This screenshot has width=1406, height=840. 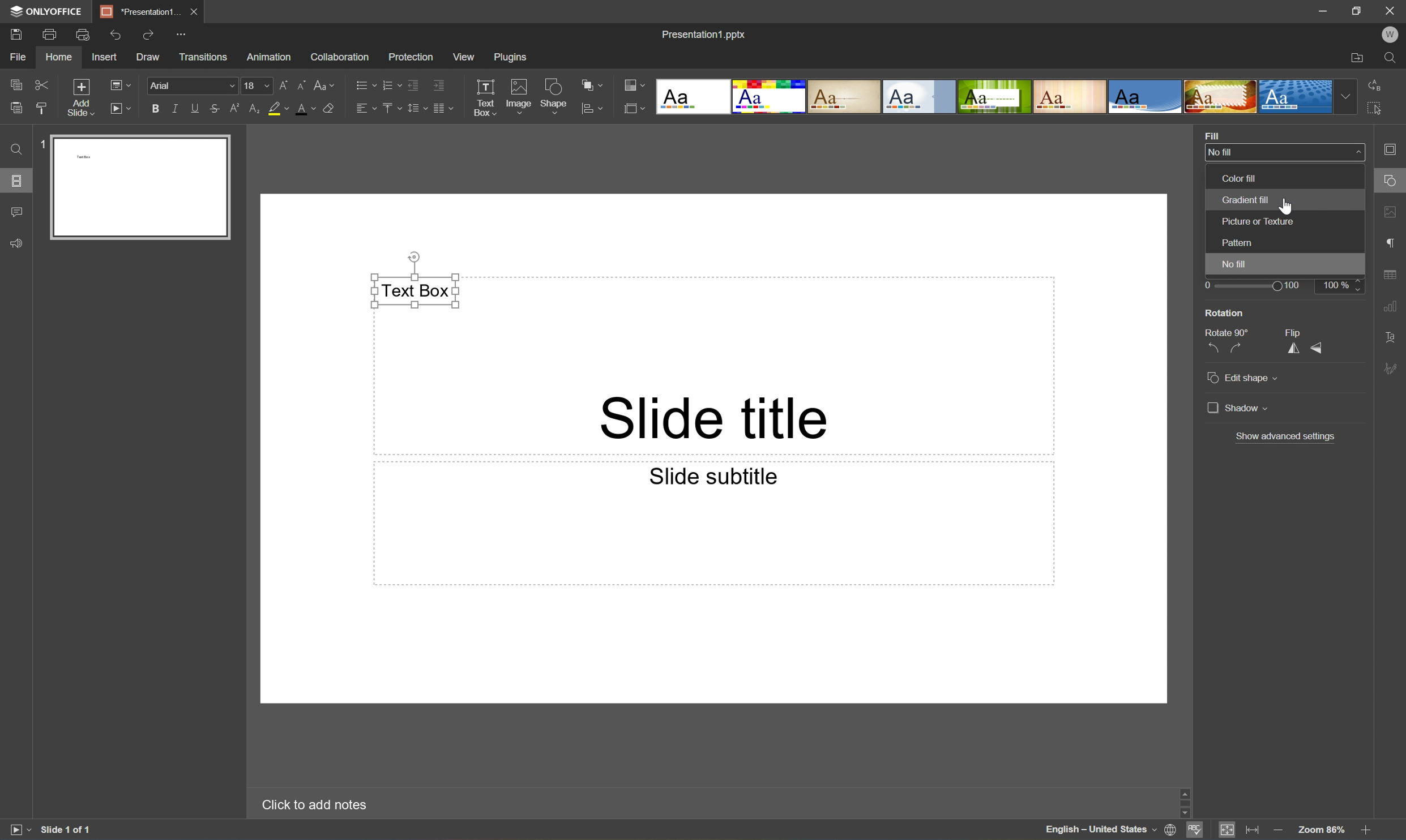 What do you see at coordinates (271, 57) in the screenshot?
I see `Animation` at bounding box center [271, 57].